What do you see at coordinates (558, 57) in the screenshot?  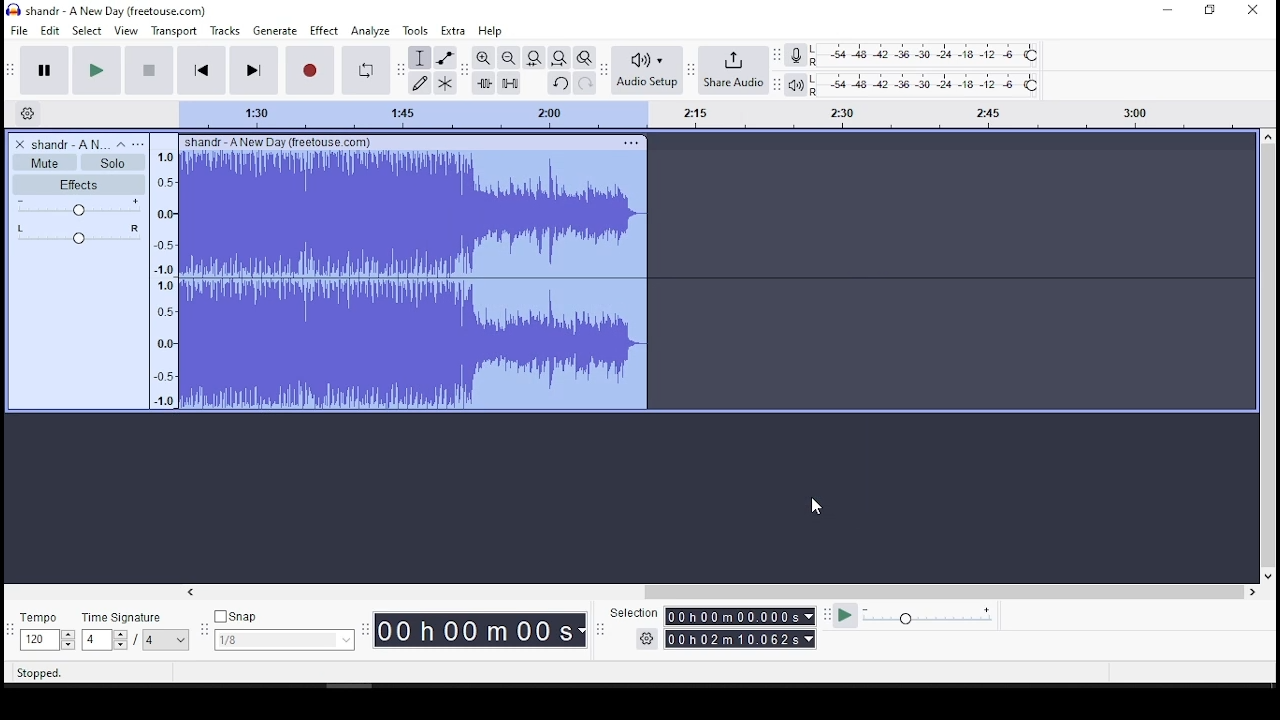 I see `fit project to width` at bounding box center [558, 57].